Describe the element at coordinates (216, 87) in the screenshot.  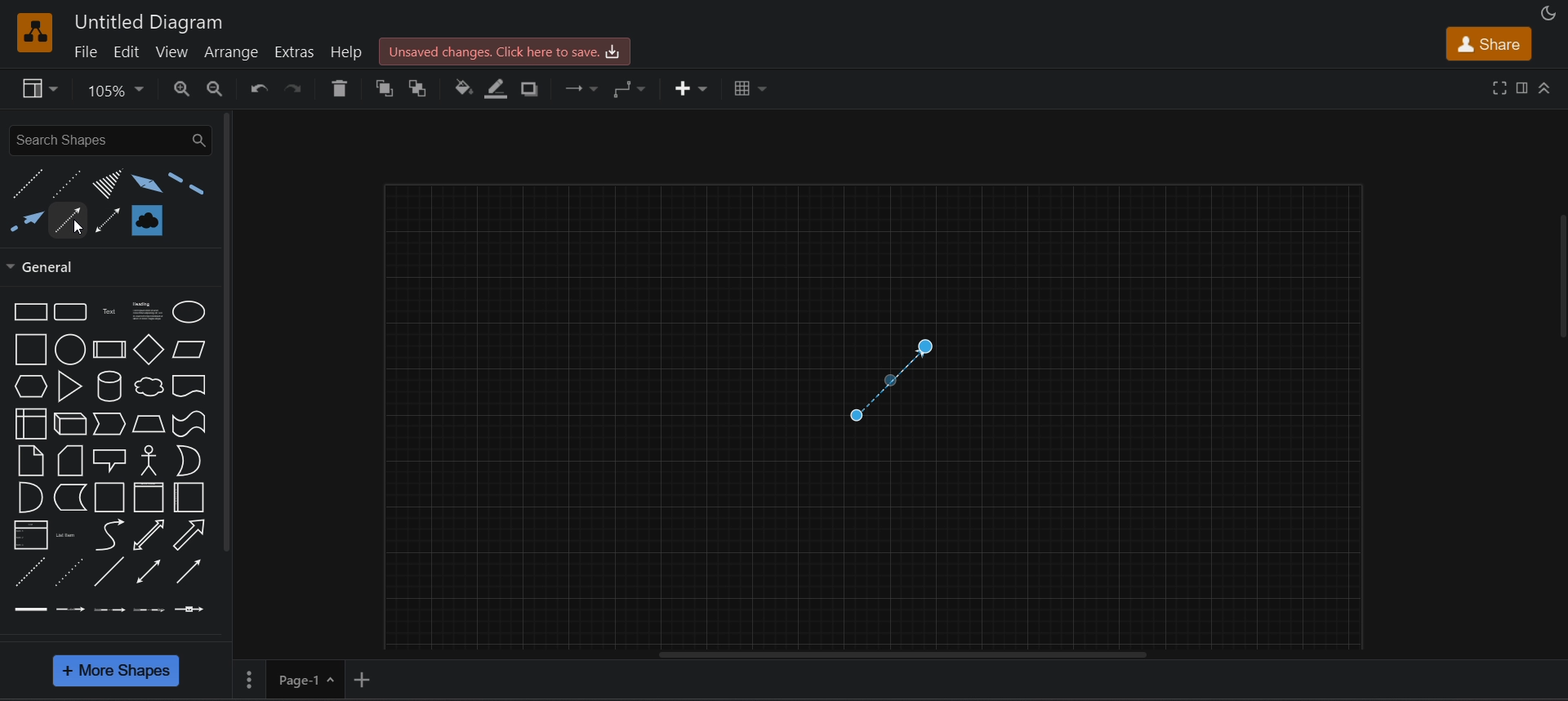
I see `zoom out` at that location.